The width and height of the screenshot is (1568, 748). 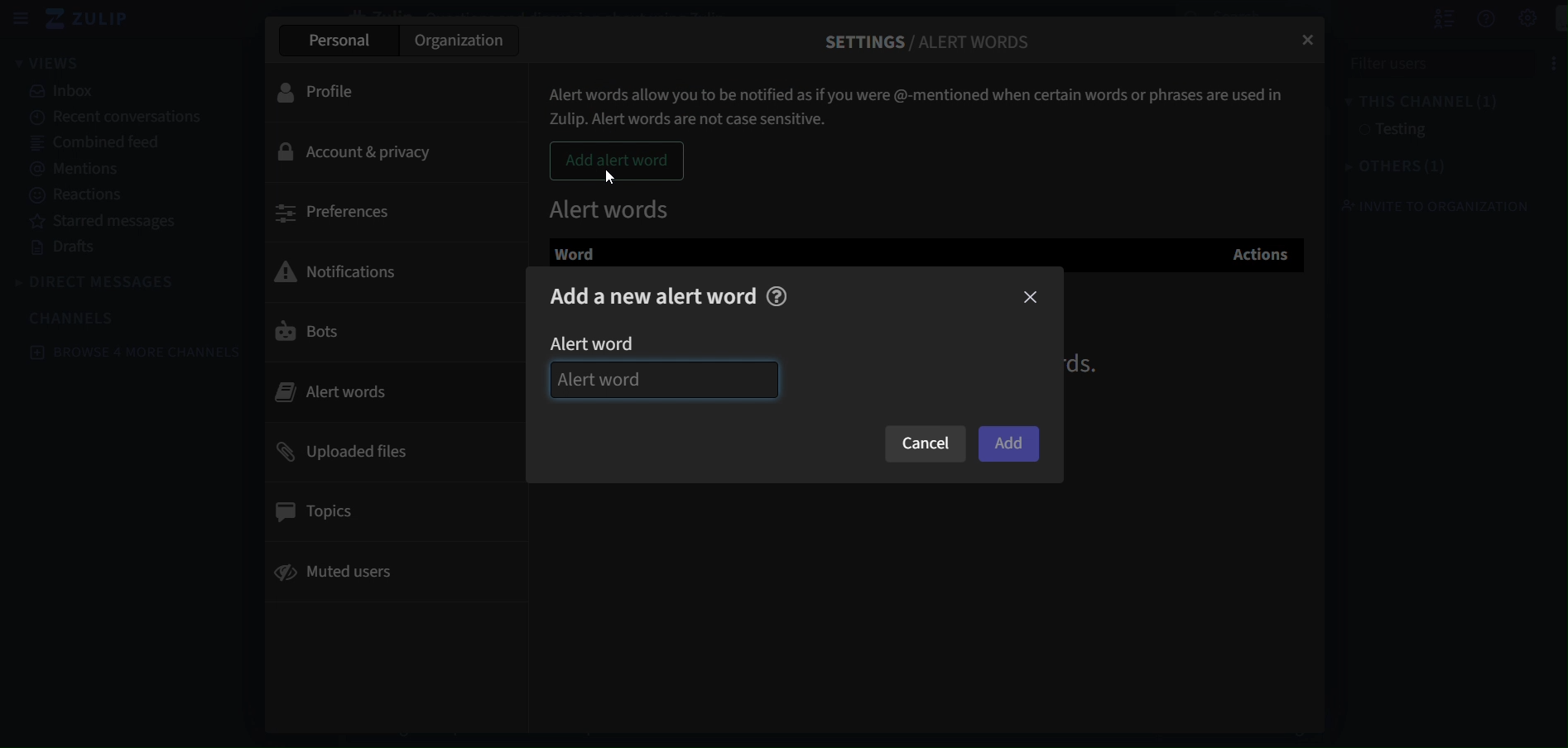 What do you see at coordinates (1537, 61) in the screenshot?
I see `options` at bounding box center [1537, 61].